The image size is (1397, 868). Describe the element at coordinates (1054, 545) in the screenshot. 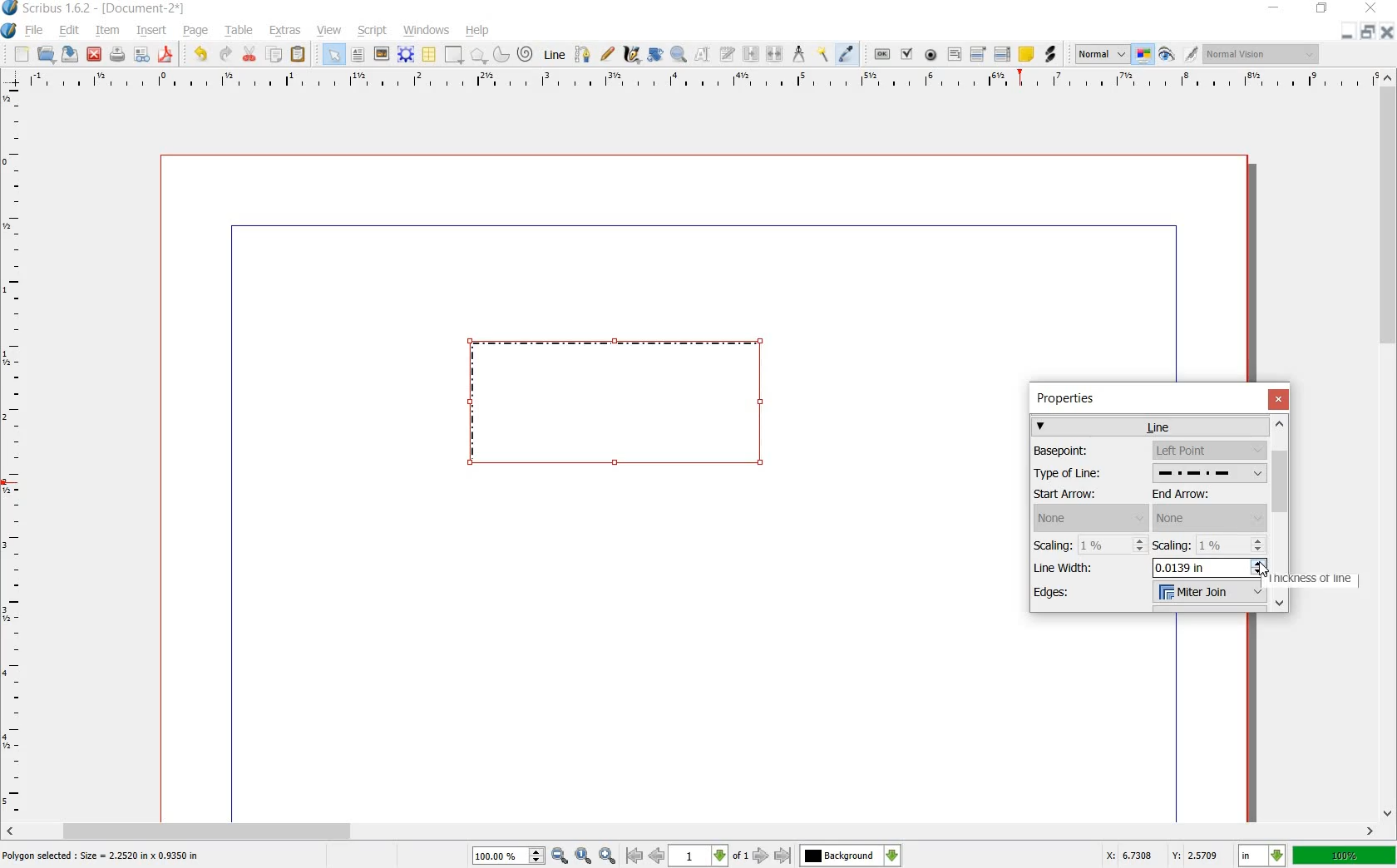

I see `Scaling:` at that location.